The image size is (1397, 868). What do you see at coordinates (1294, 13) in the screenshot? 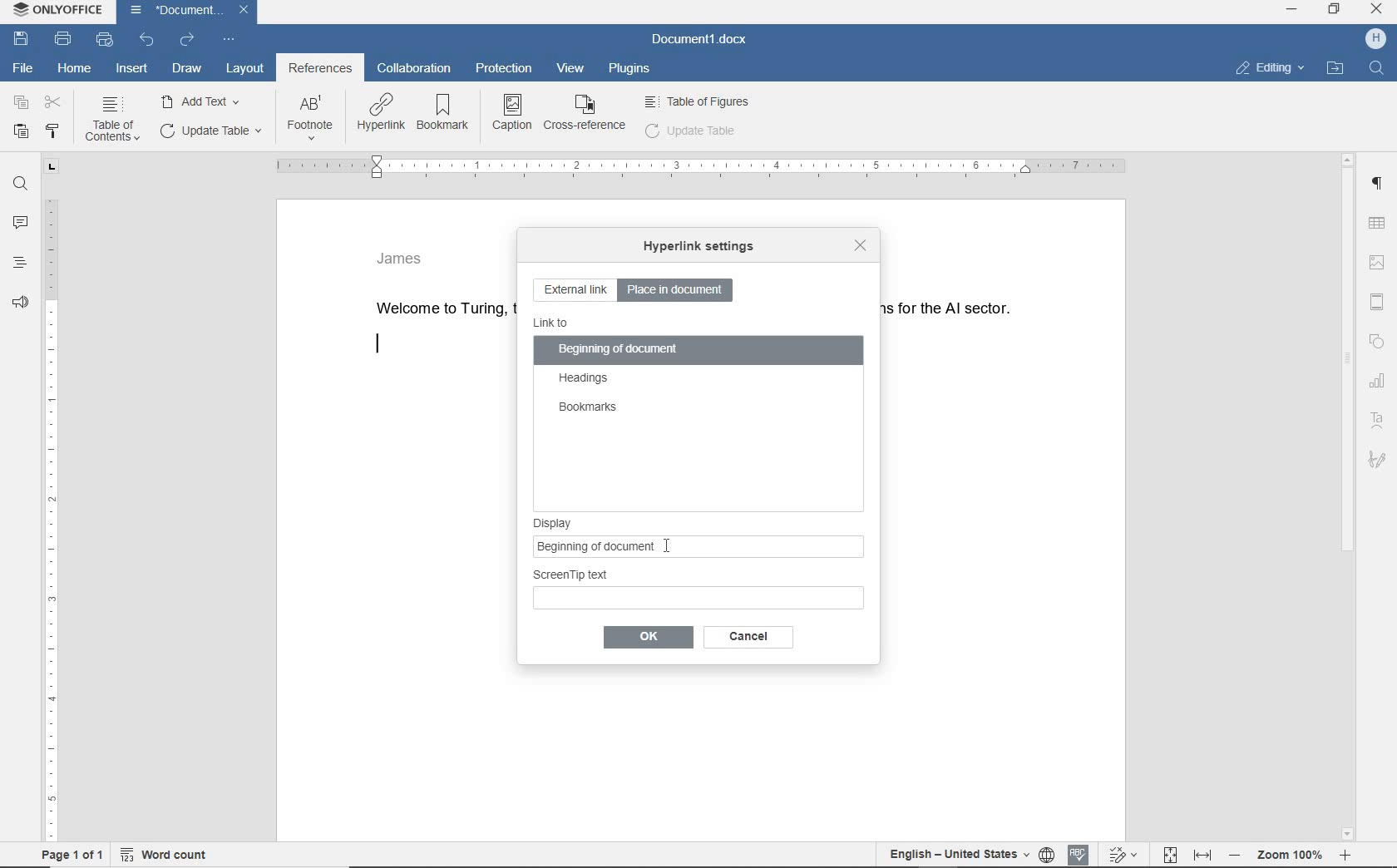
I see `Minimize` at bounding box center [1294, 13].